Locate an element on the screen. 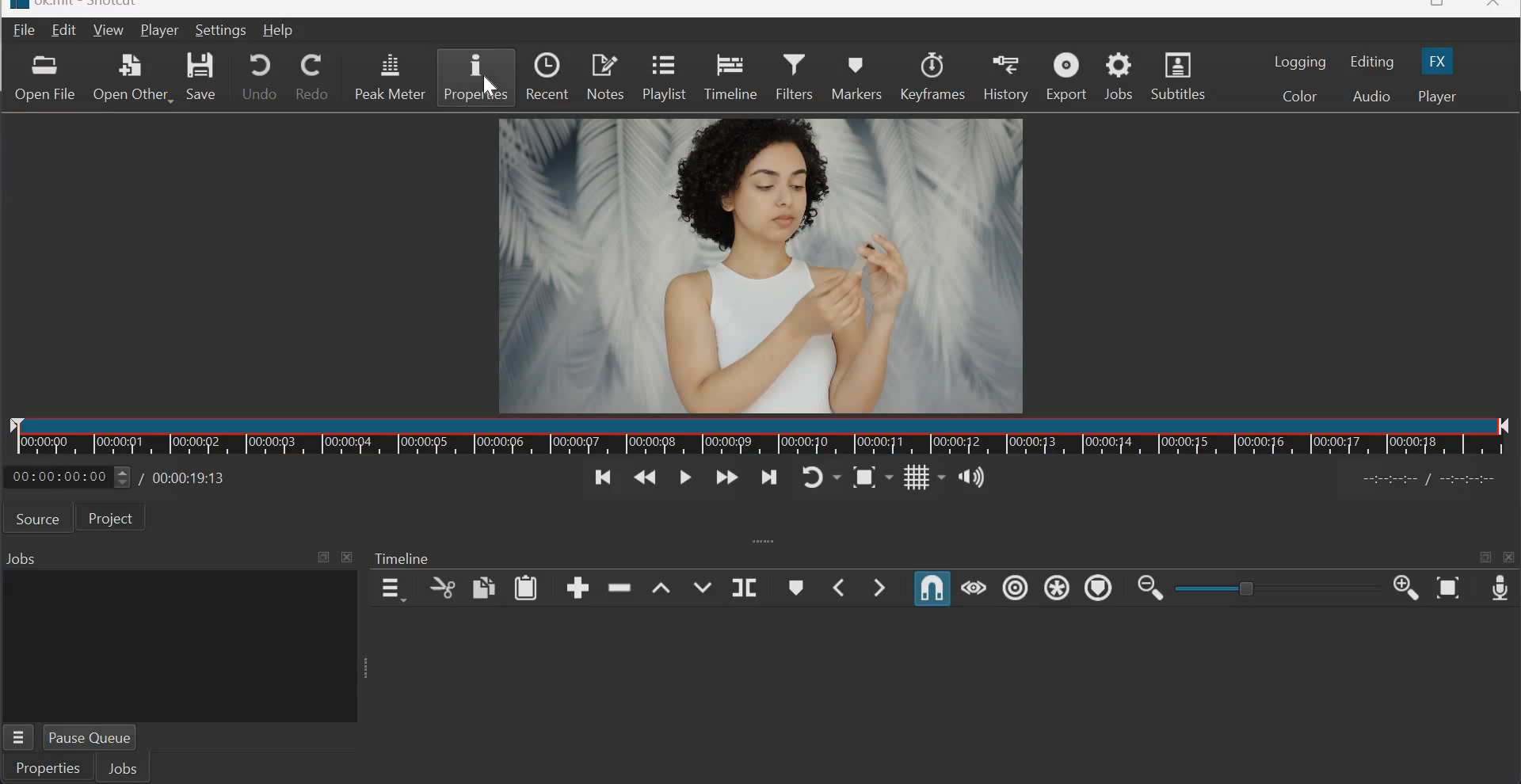 This screenshot has height=784, width=1521. title is located at coordinates (91, 6).